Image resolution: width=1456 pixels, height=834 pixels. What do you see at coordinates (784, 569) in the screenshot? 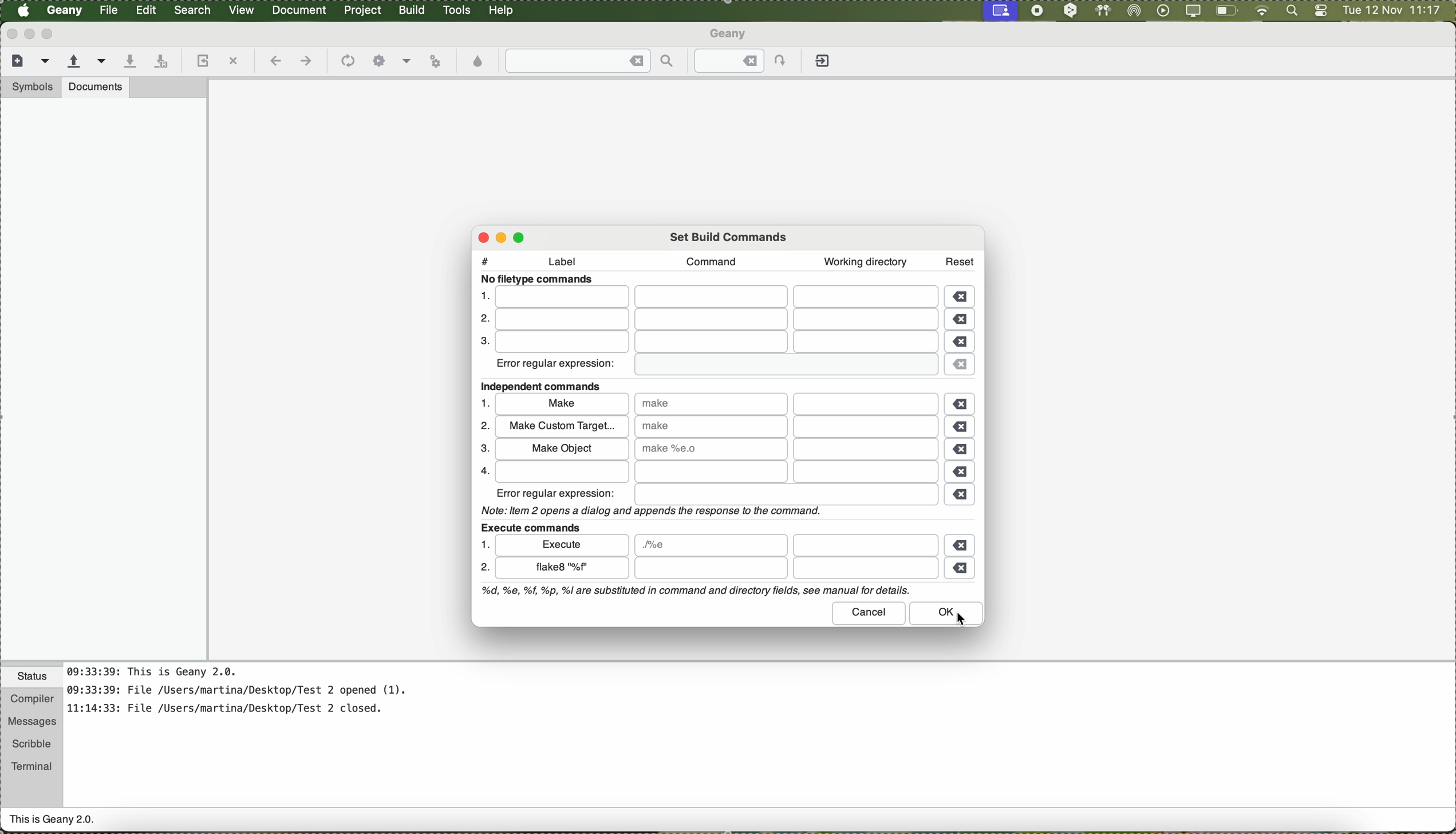
I see `file` at bounding box center [784, 569].